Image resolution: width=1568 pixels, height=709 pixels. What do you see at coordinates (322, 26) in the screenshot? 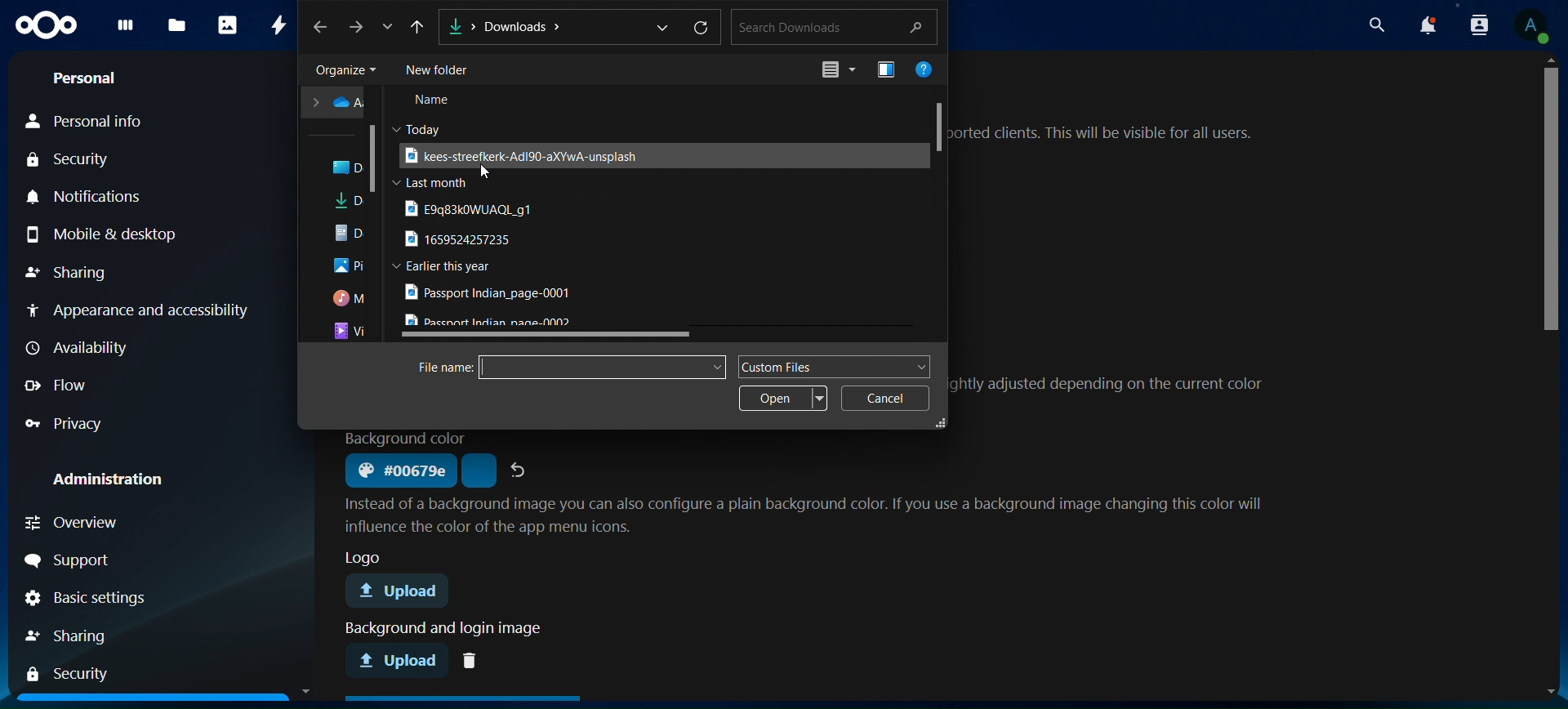
I see `go back ` at bounding box center [322, 26].